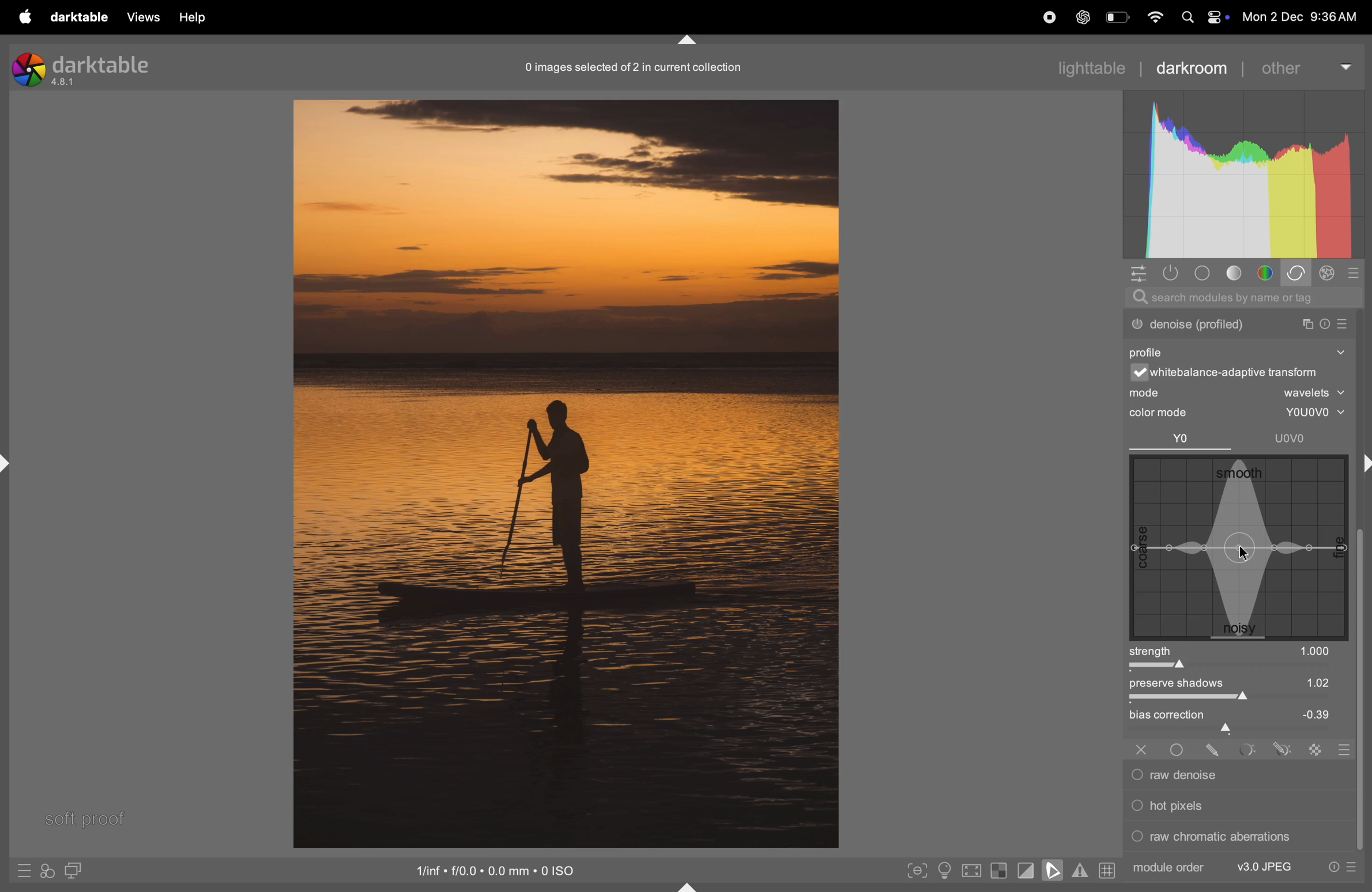 The image size is (1372, 892). Describe the element at coordinates (1341, 751) in the screenshot. I see `signs` at that location.